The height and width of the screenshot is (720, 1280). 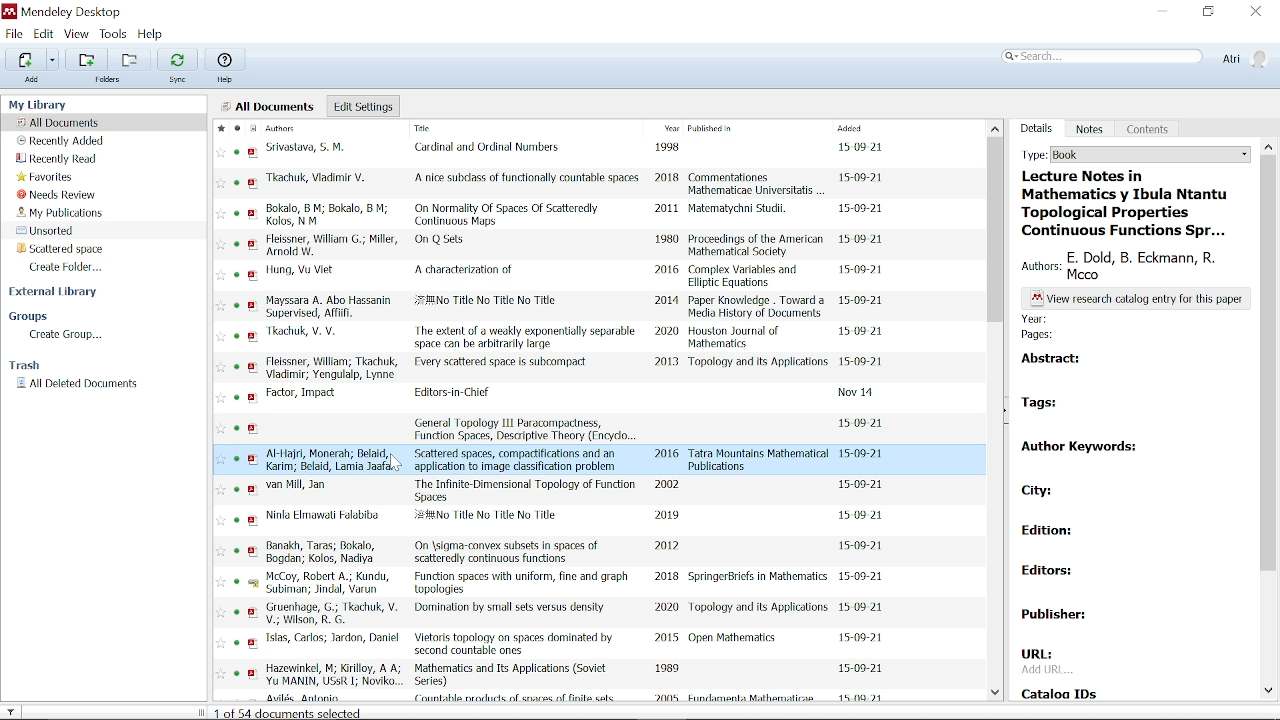 I want to click on Open Mathematics, so click(x=736, y=639).